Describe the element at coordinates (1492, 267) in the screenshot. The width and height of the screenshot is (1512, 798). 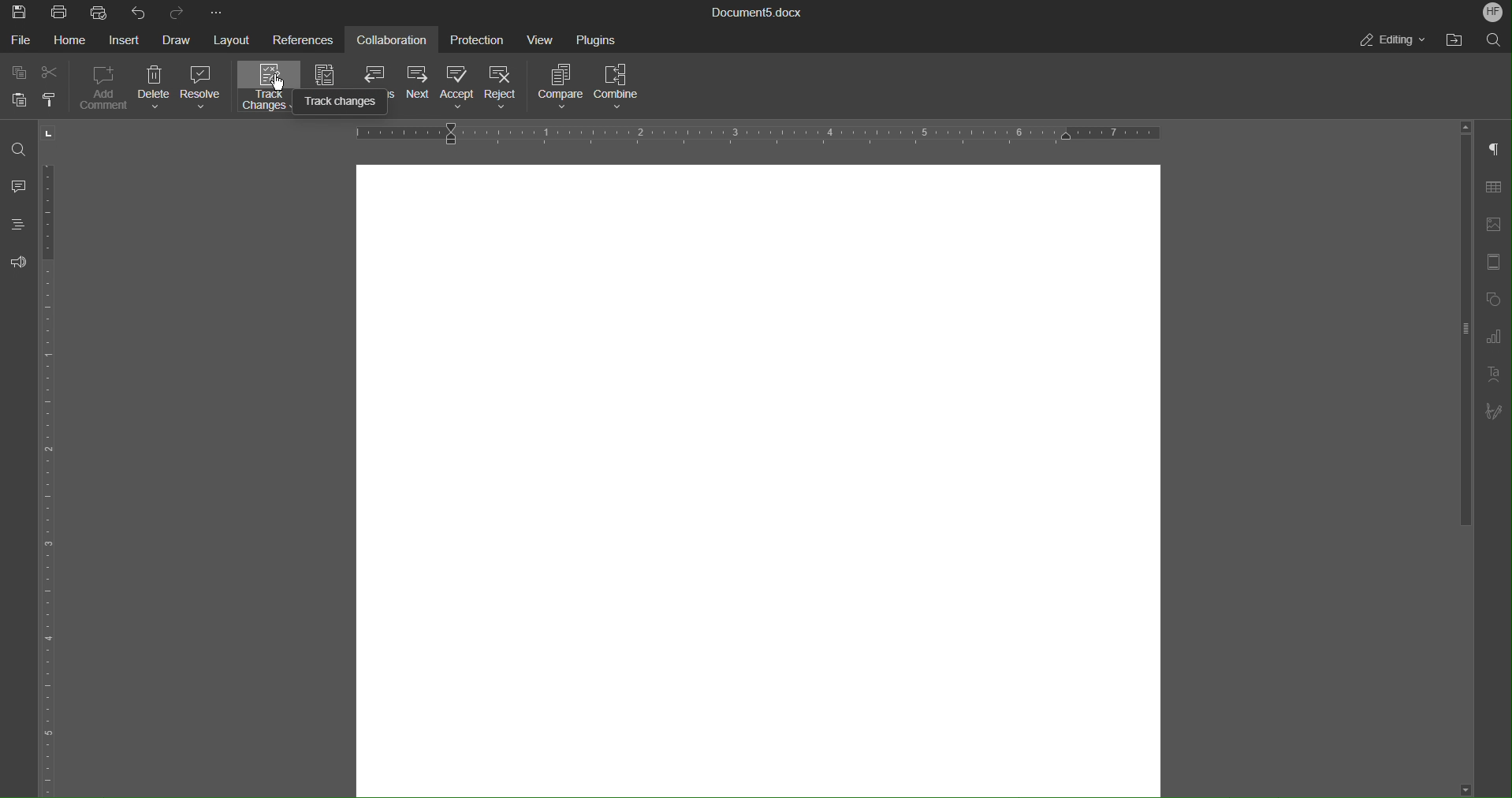
I see `Header/Footer` at that location.